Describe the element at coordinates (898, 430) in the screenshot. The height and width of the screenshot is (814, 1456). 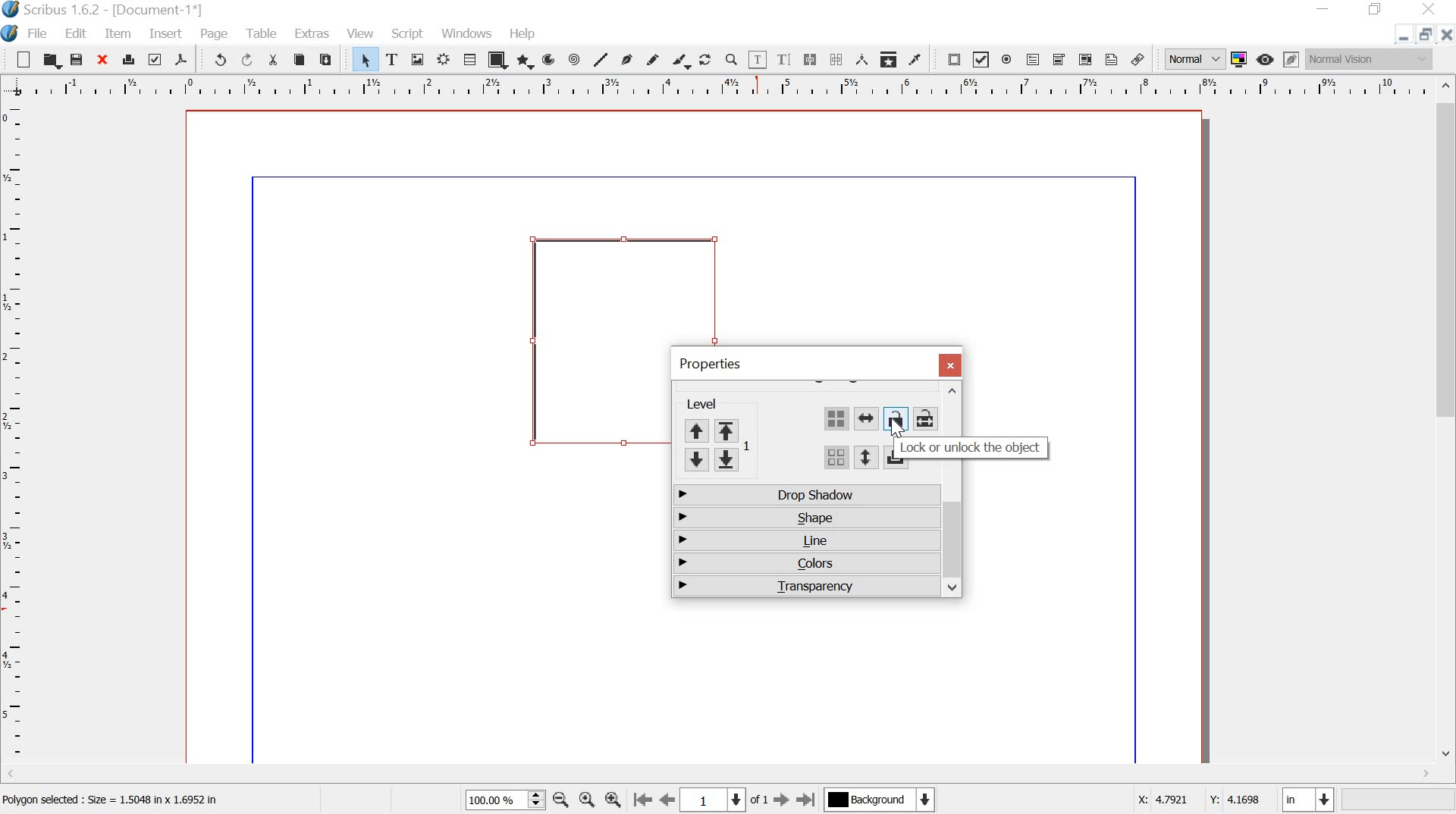
I see `cursor` at that location.